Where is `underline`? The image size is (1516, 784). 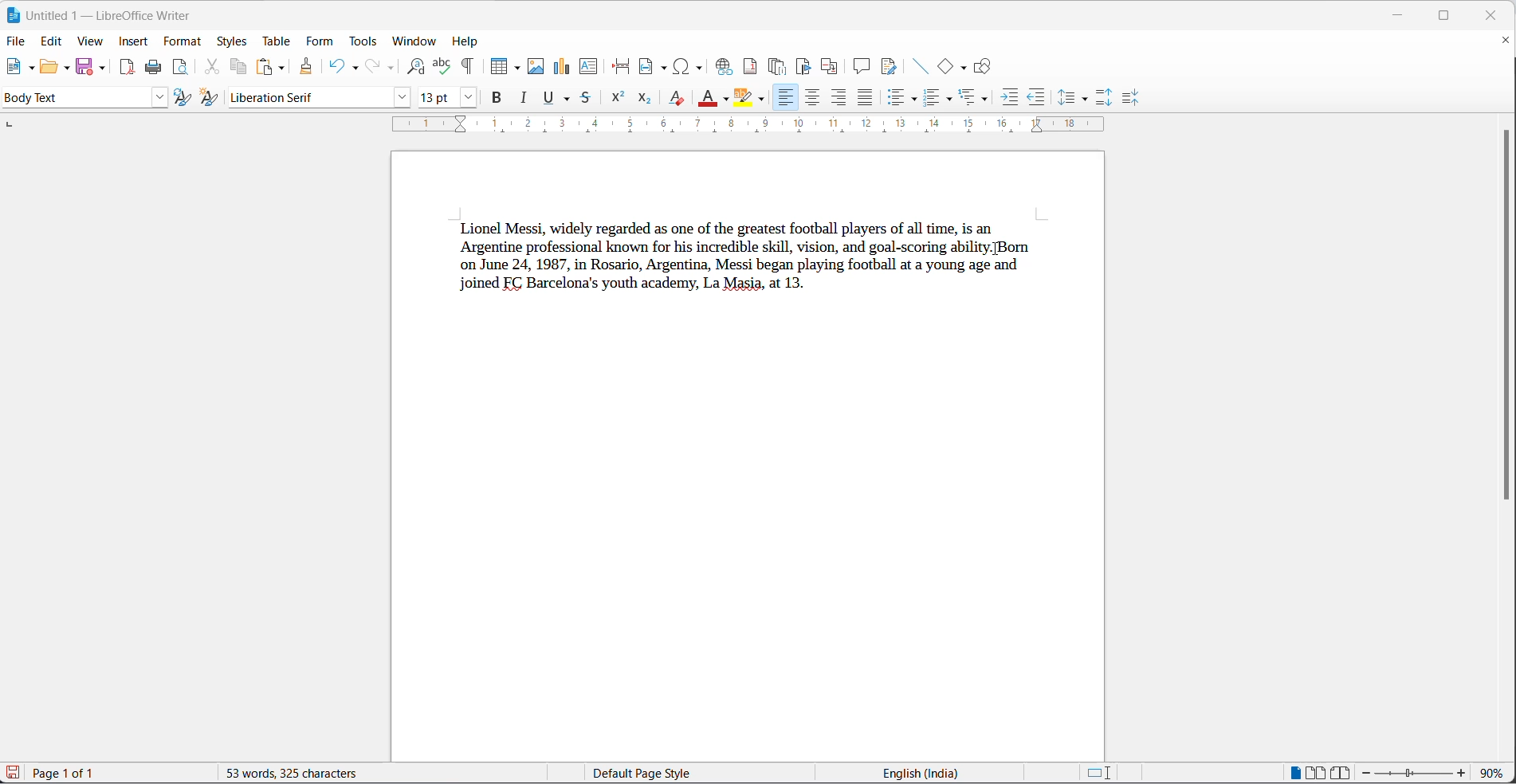
underline is located at coordinates (549, 99).